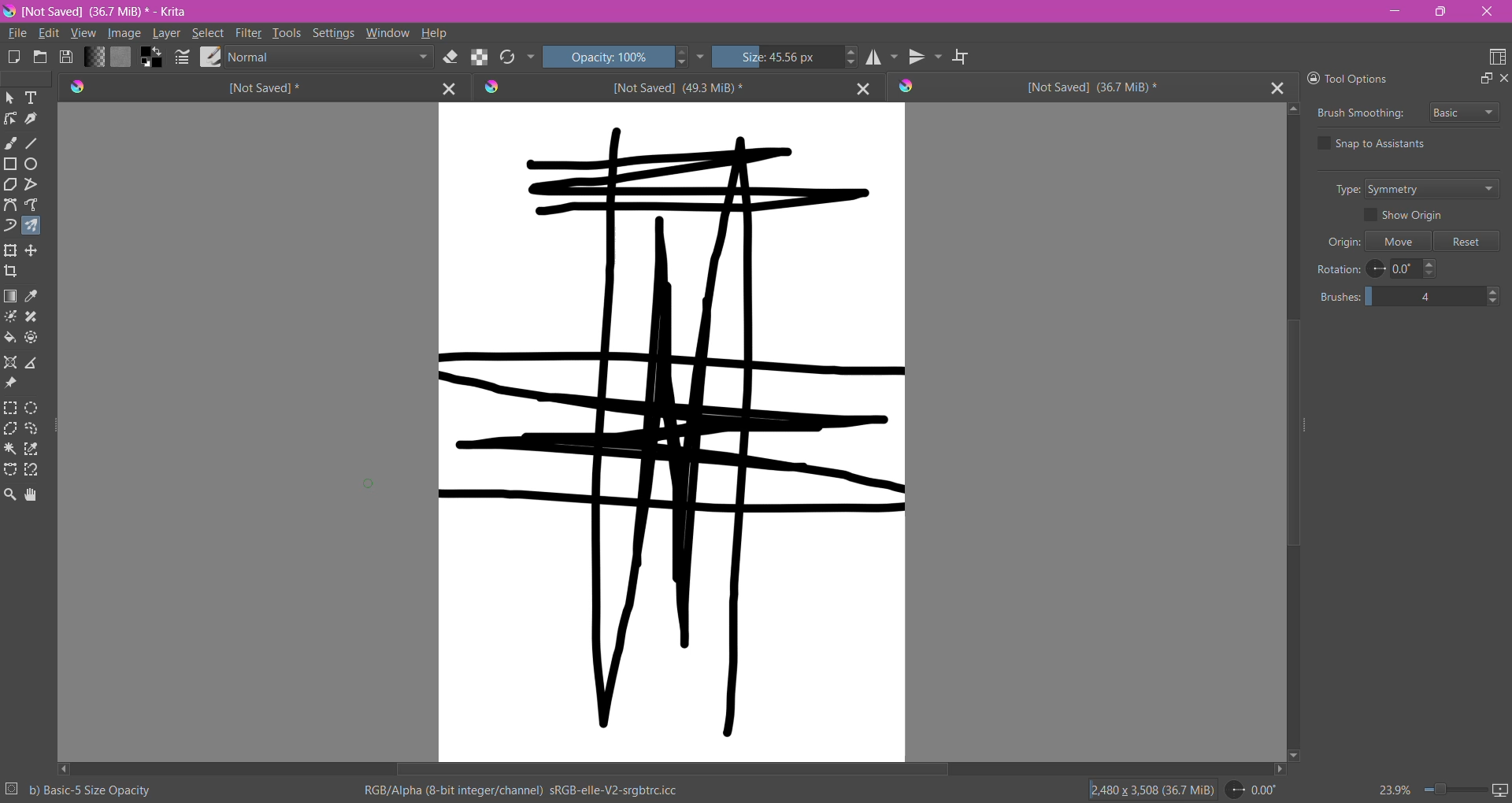 Image resolution: width=1512 pixels, height=803 pixels. What do you see at coordinates (12, 450) in the screenshot?
I see `Contiguous Selection Tool` at bounding box center [12, 450].